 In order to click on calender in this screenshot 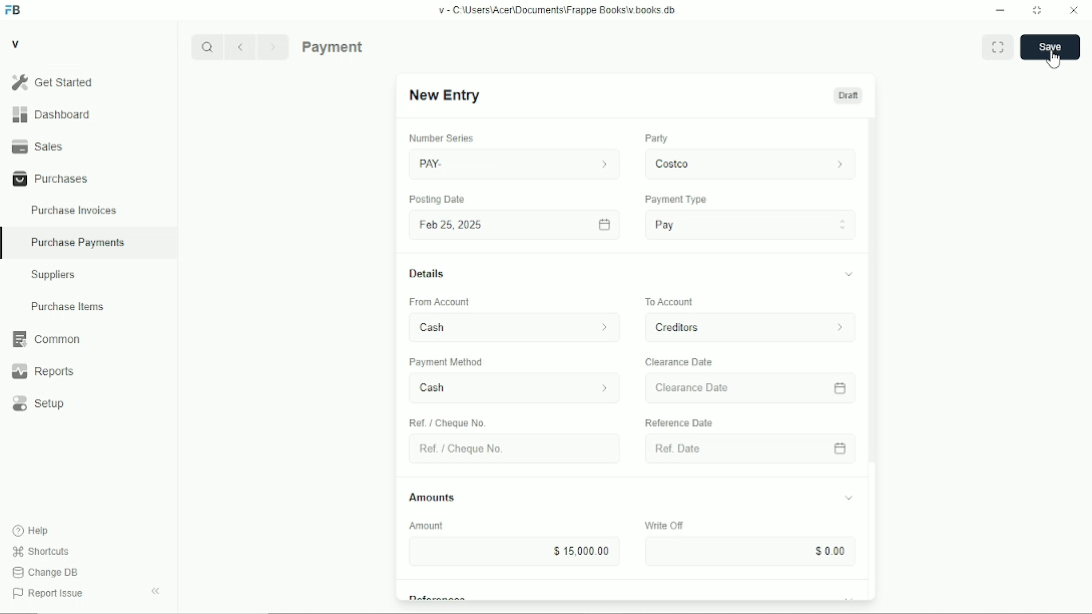, I will do `click(842, 448)`.